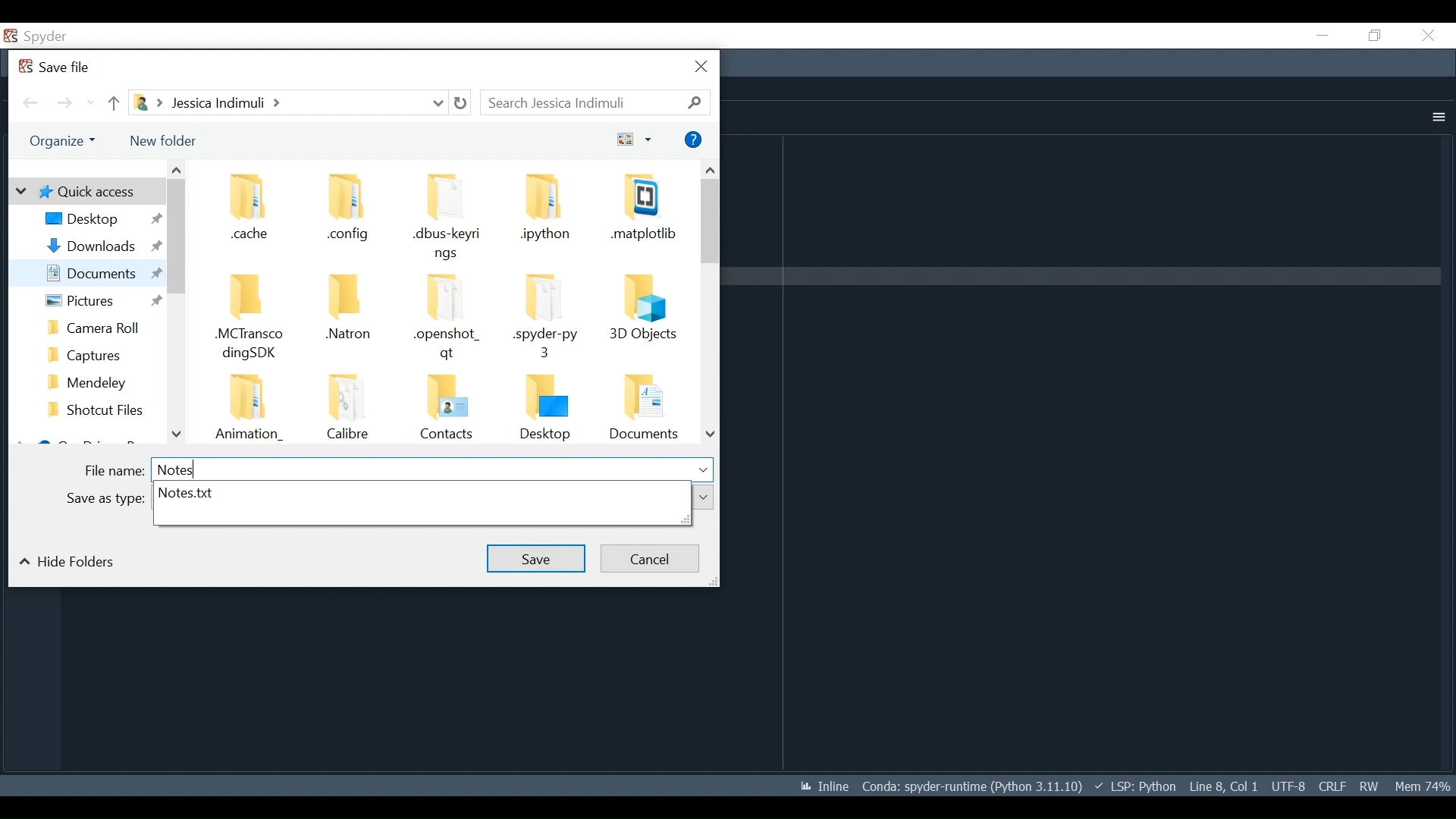 This screenshot has height=819, width=1456. What do you see at coordinates (345, 409) in the screenshot?
I see `Folder` at bounding box center [345, 409].